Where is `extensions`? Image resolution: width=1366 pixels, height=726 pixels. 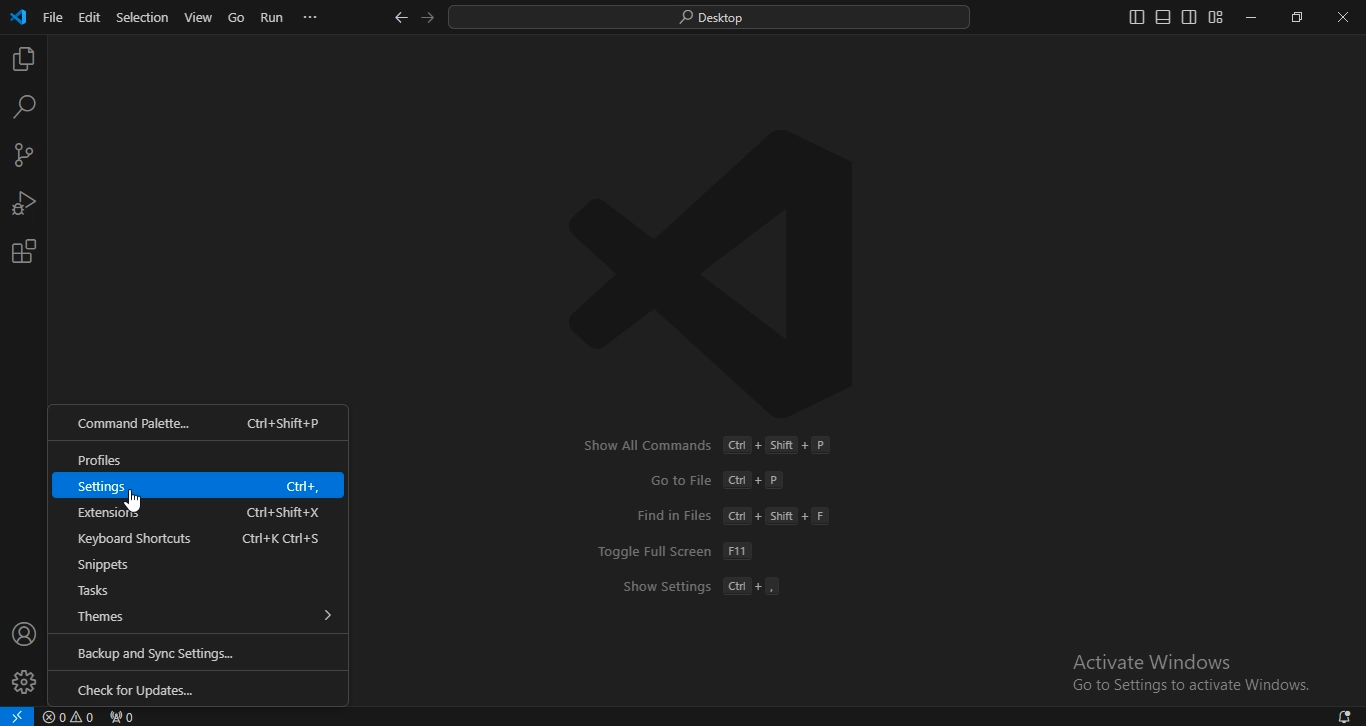 extensions is located at coordinates (26, 252).